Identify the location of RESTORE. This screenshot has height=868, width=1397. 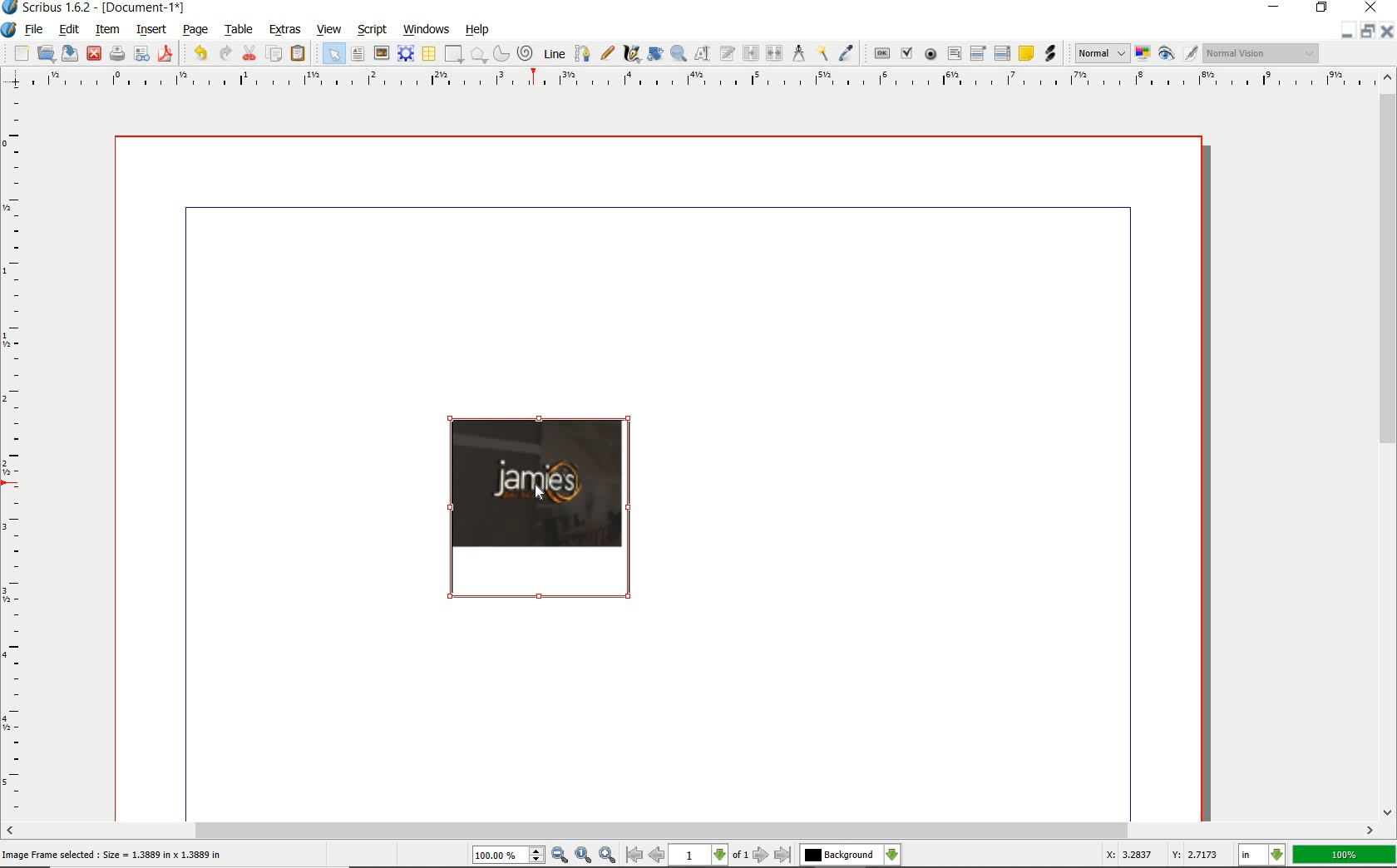
(1370, 31).